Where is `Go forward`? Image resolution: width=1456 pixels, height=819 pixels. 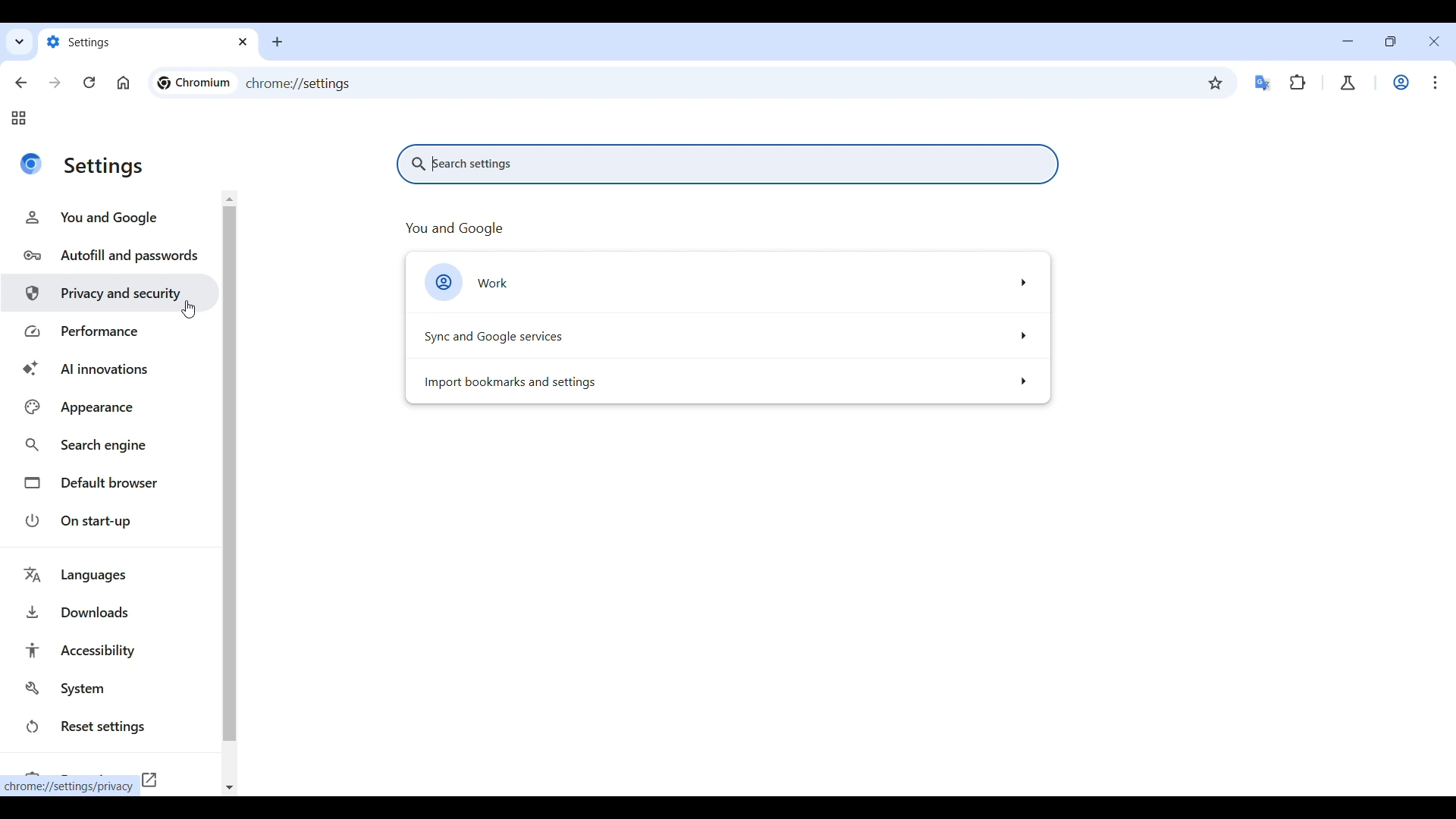 Go forward is located at coordinates (55, 83).